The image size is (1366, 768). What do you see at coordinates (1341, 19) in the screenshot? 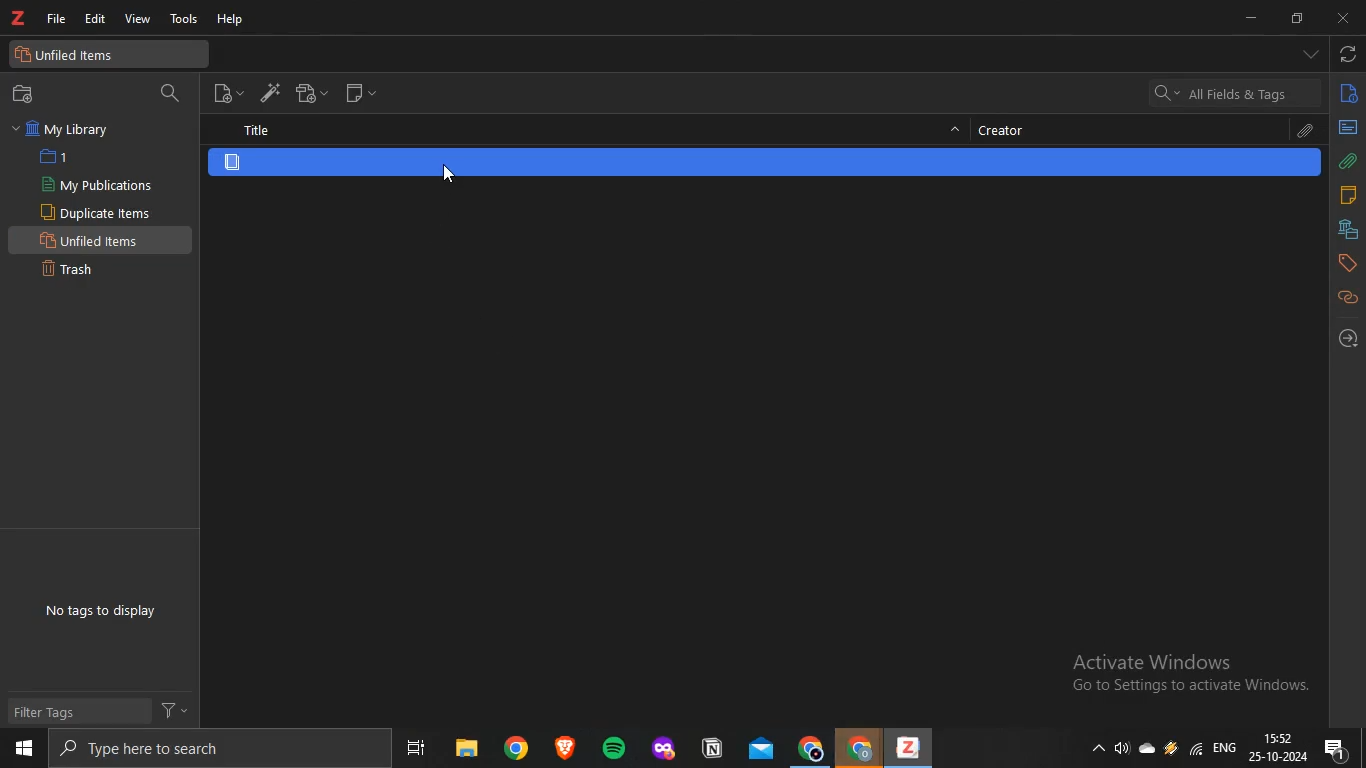
I see `close` at bounding box center [1341, 19].